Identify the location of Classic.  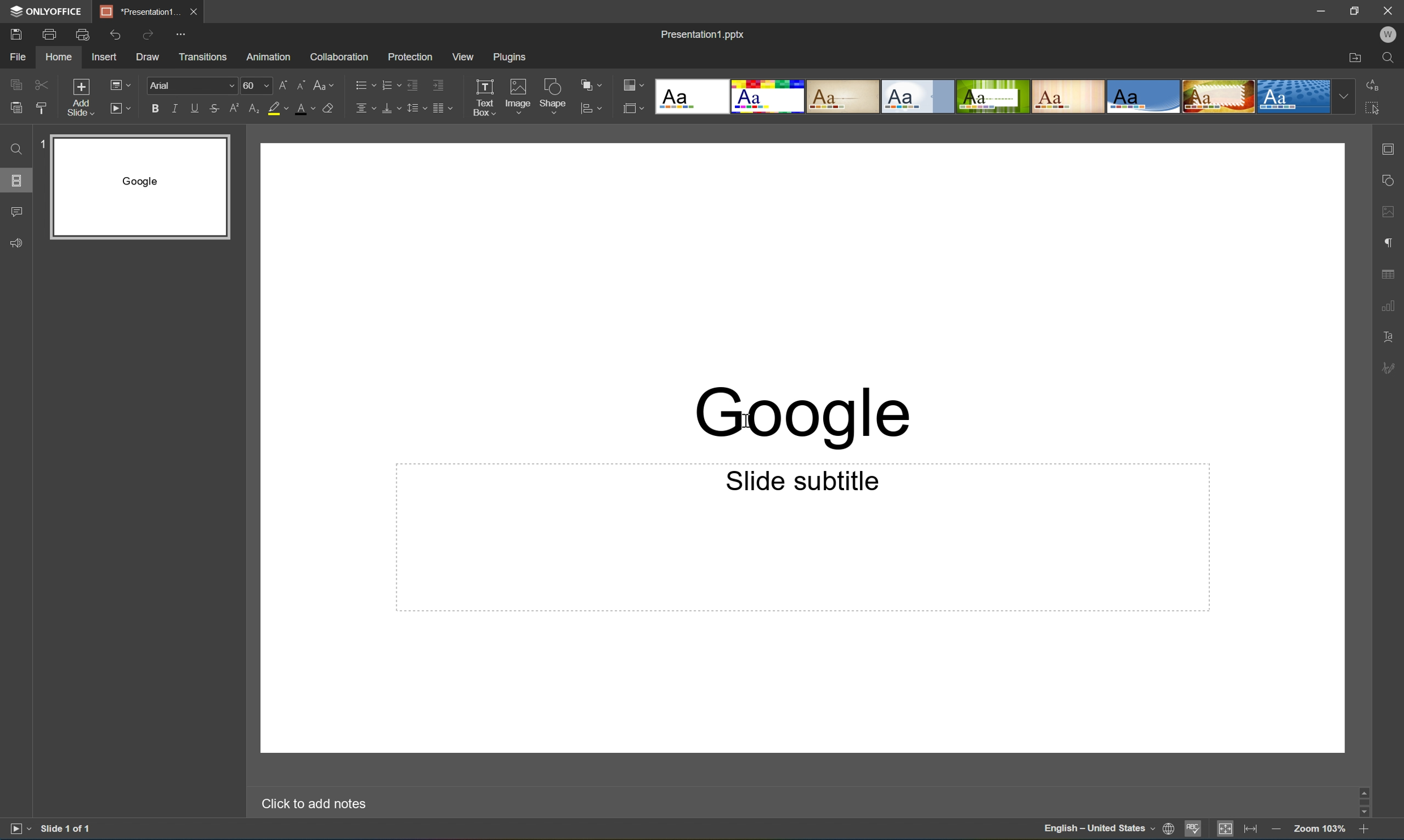
(844, 97).